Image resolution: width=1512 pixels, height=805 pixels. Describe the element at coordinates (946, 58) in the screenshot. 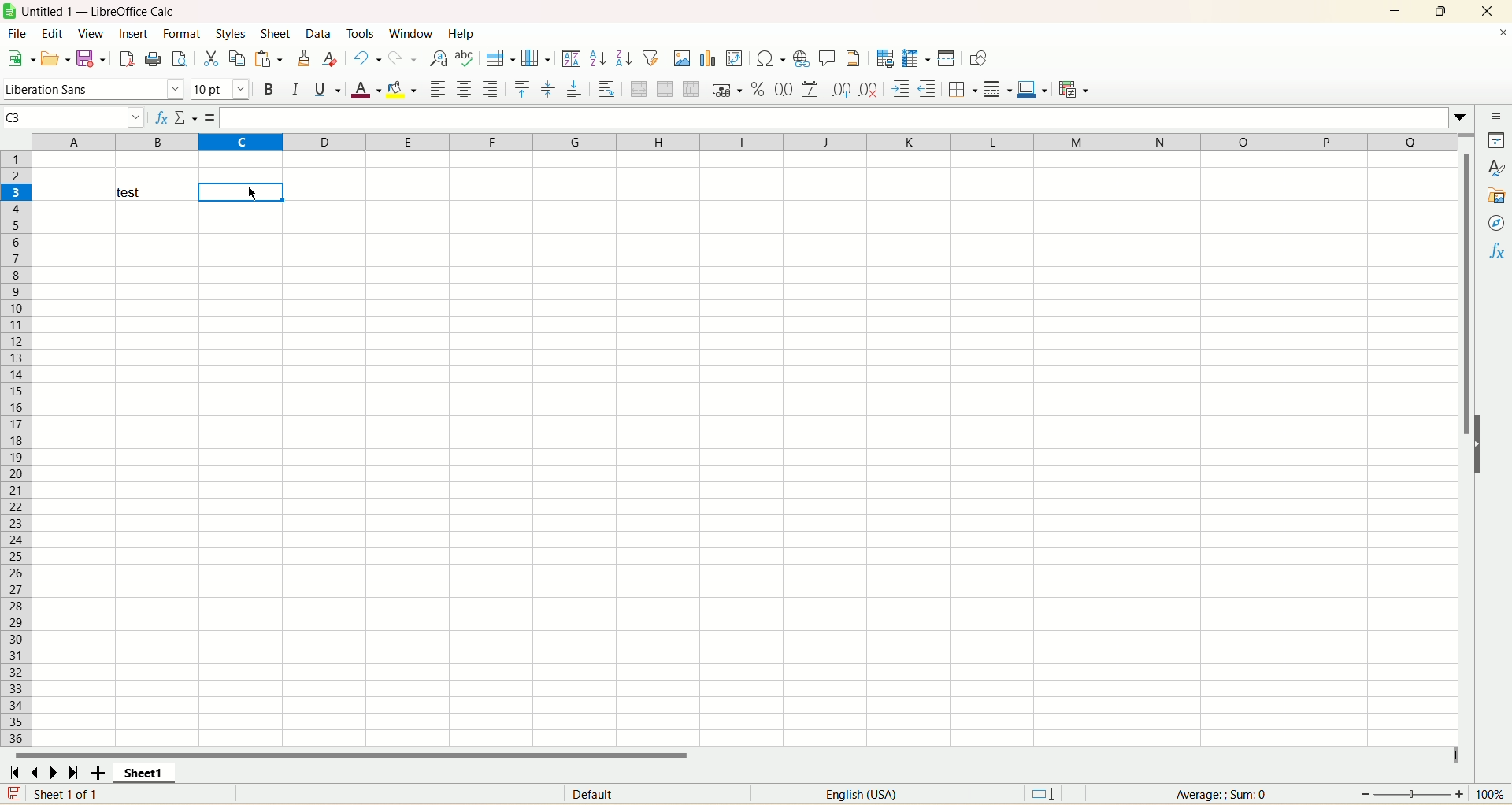

I see `split window` at that location.